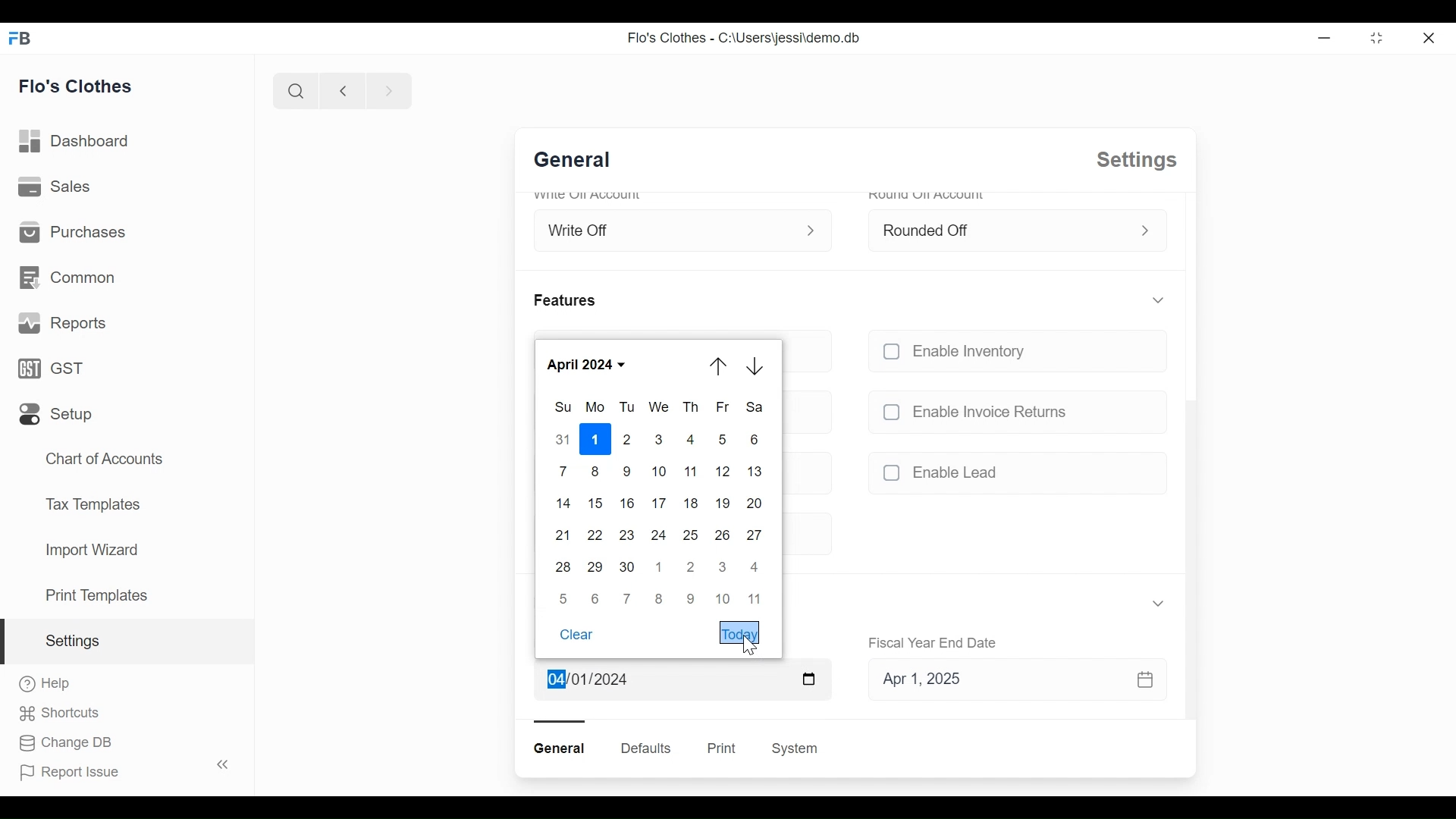 This screenshot has height=819, width=1456. What do you see at coordinates (646, 748) in the screenshot?
I see `Defaults` at bounding box center [646, 748].